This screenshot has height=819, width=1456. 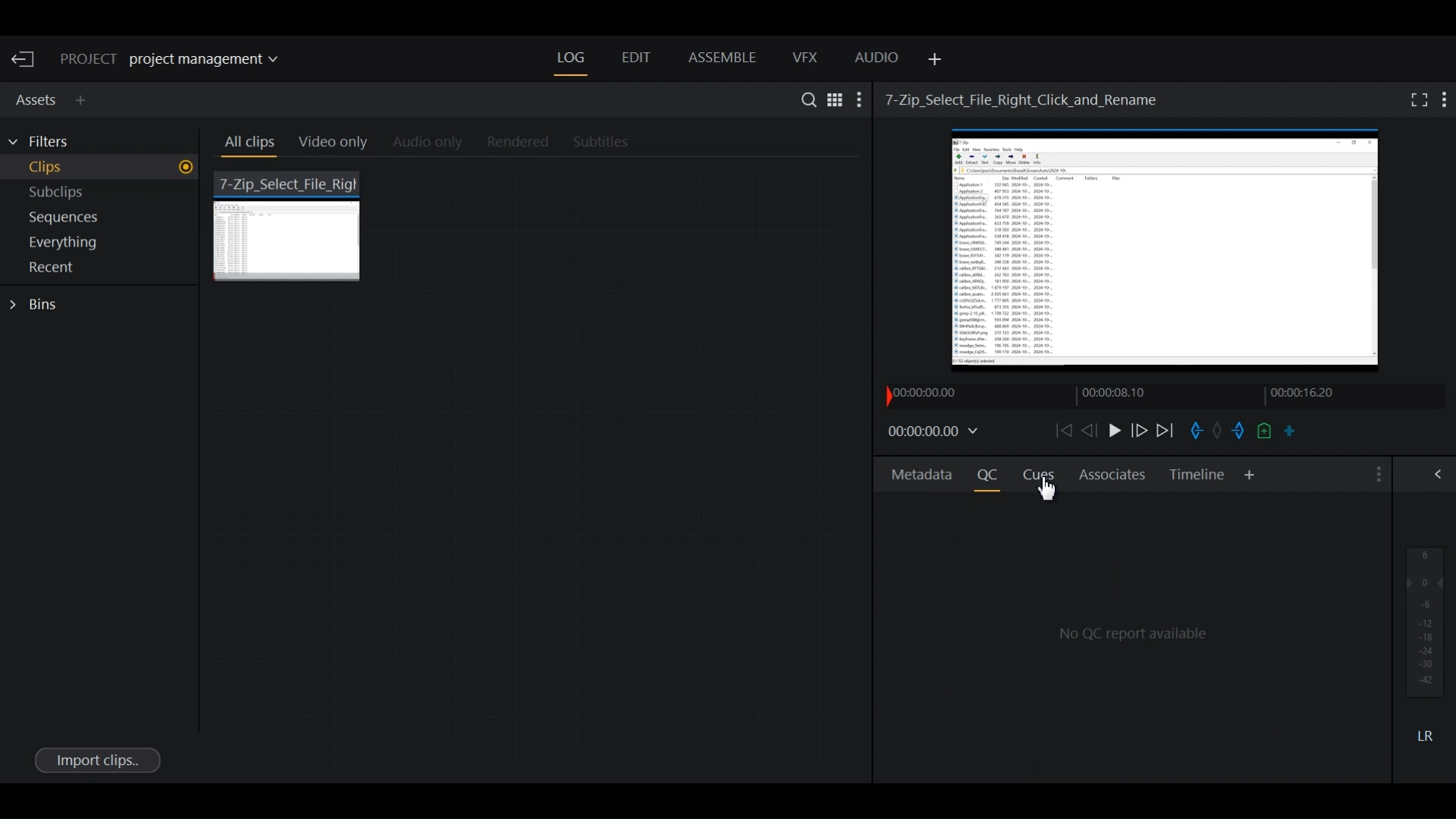 I want to click on Show sequences in current project, so click(x=103, y=219).